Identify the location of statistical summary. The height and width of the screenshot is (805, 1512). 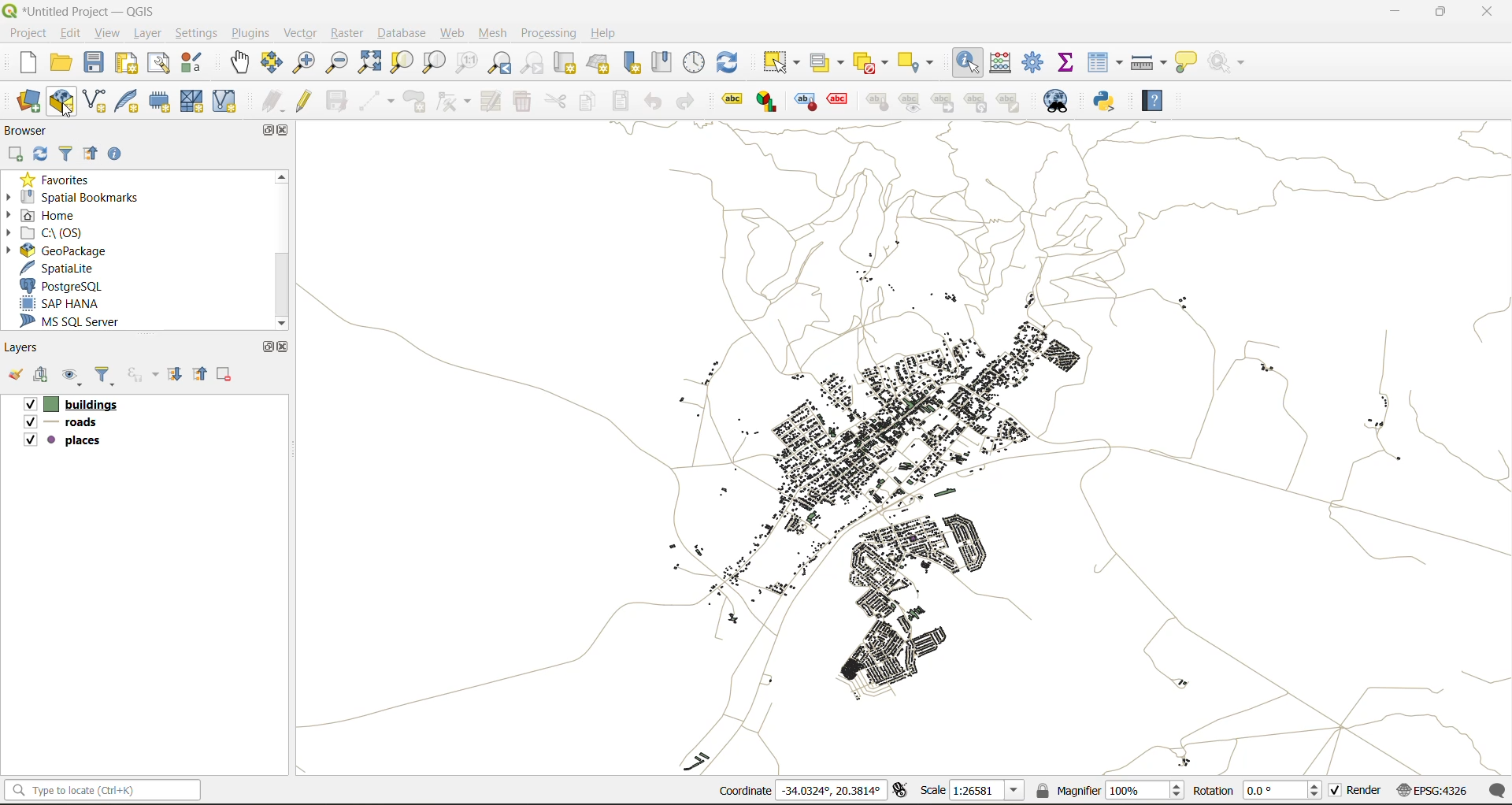
(1067, 63).